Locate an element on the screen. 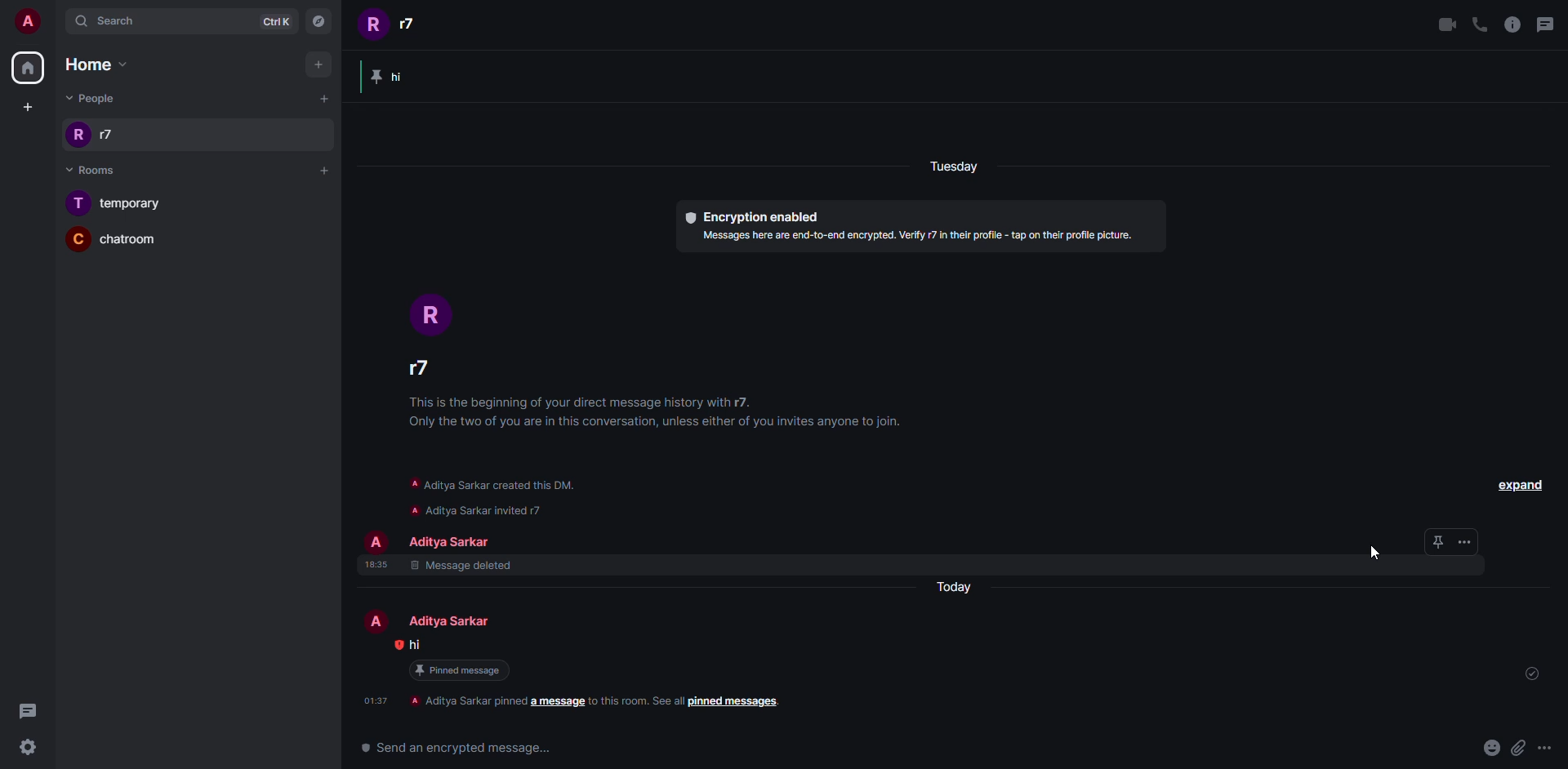  profile is located at coordinates (432, 309).